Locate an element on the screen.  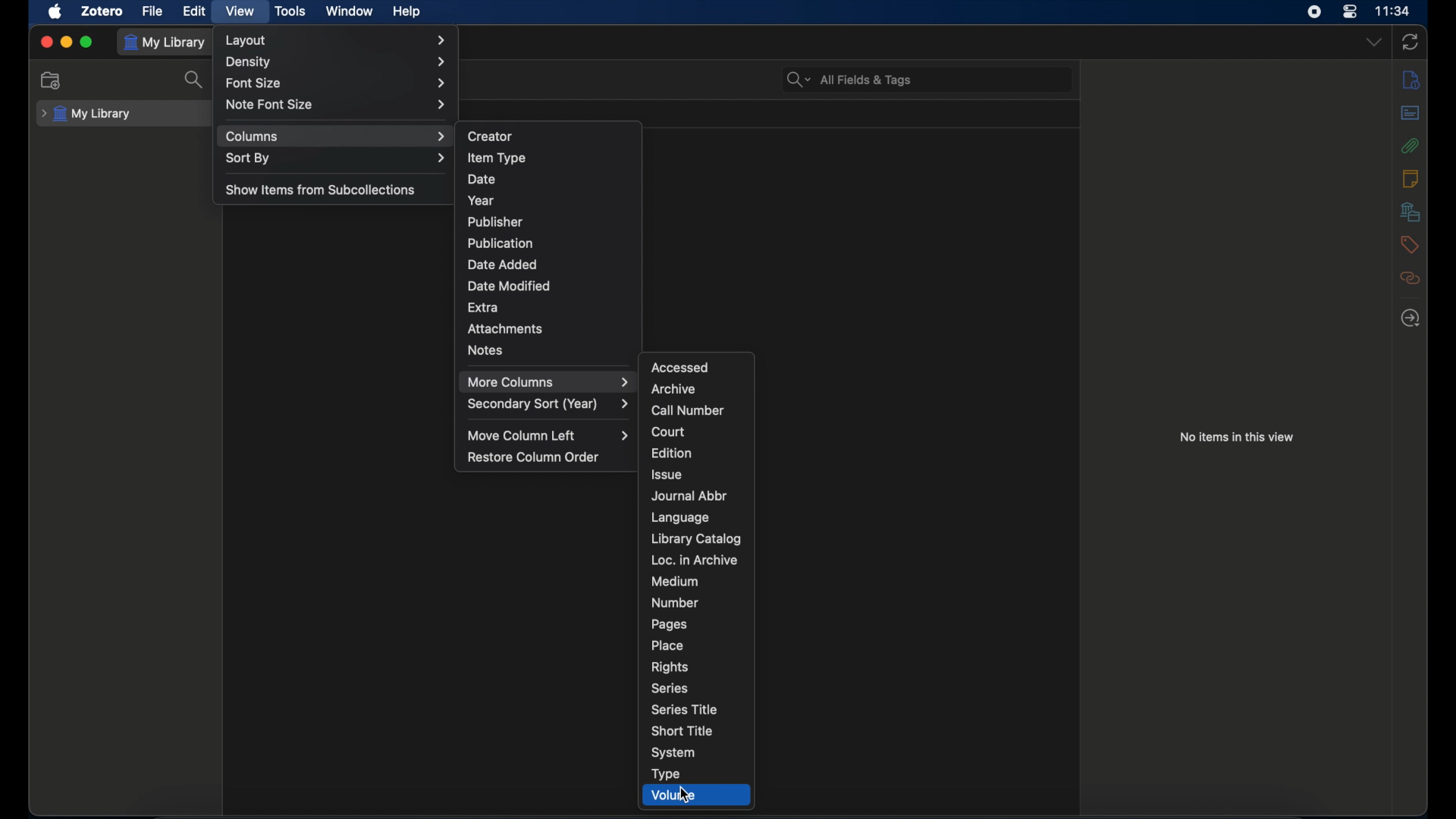
close is located at coordinates (45, 41).